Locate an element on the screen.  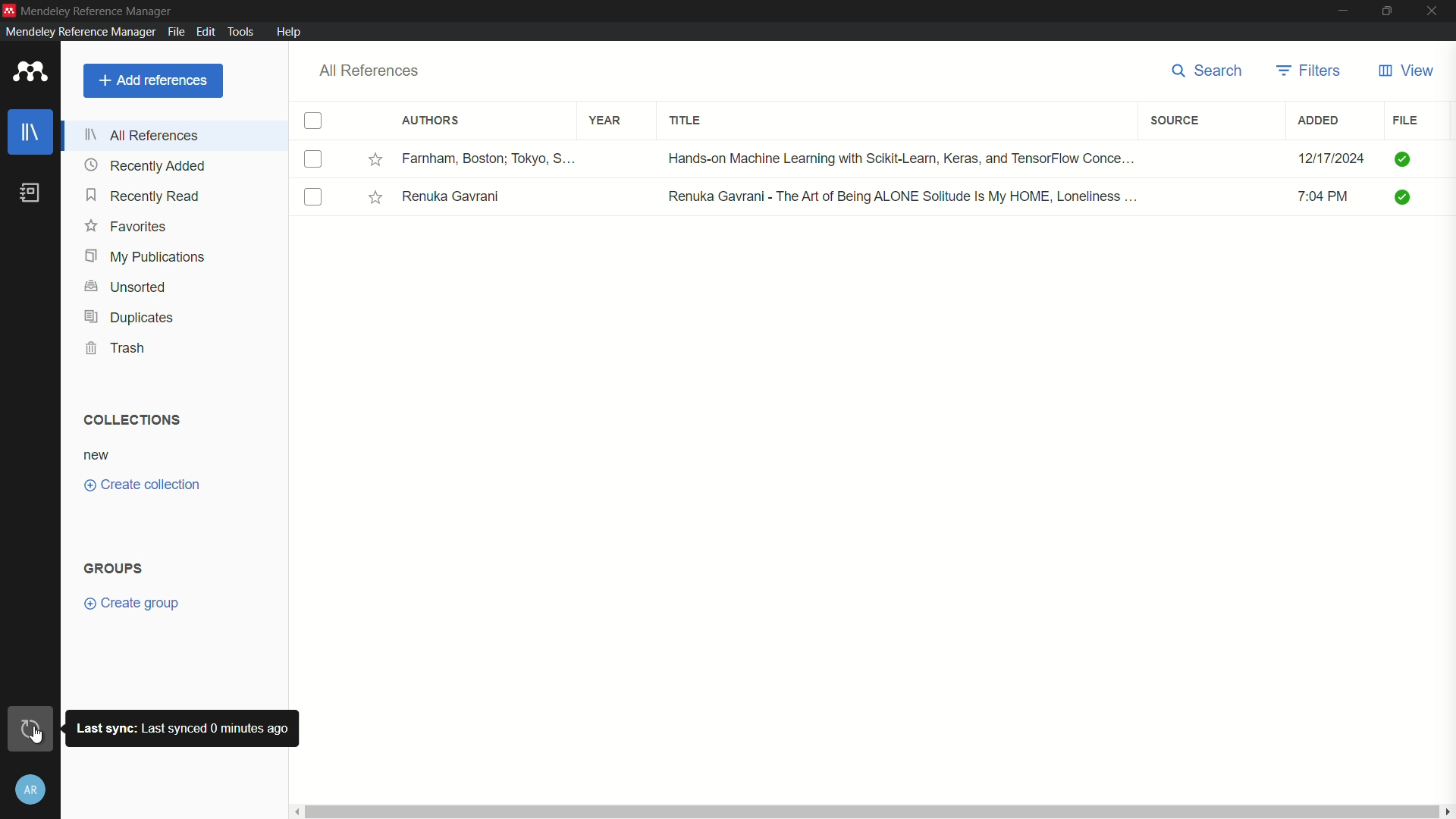
scrollbar is located at coordinates (871, 812).